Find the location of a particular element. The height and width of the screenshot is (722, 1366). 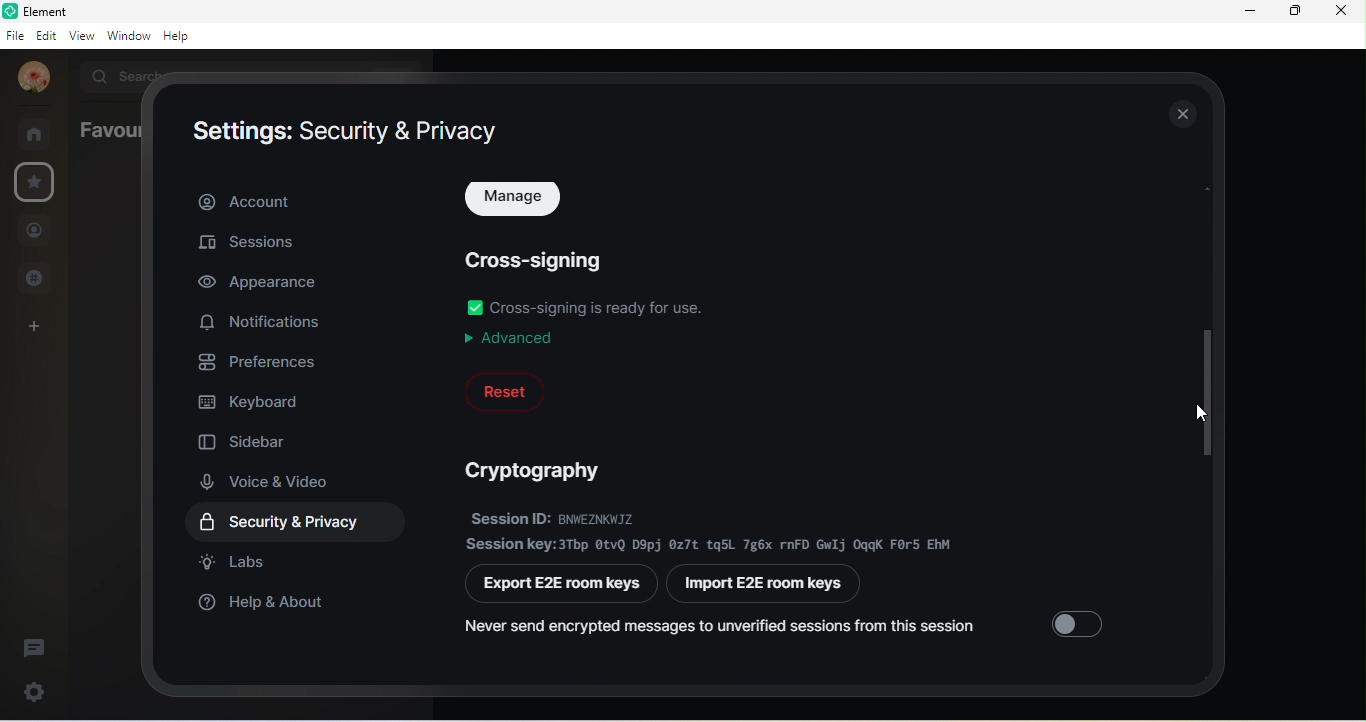

advanced is located at coordinates (513, 338).